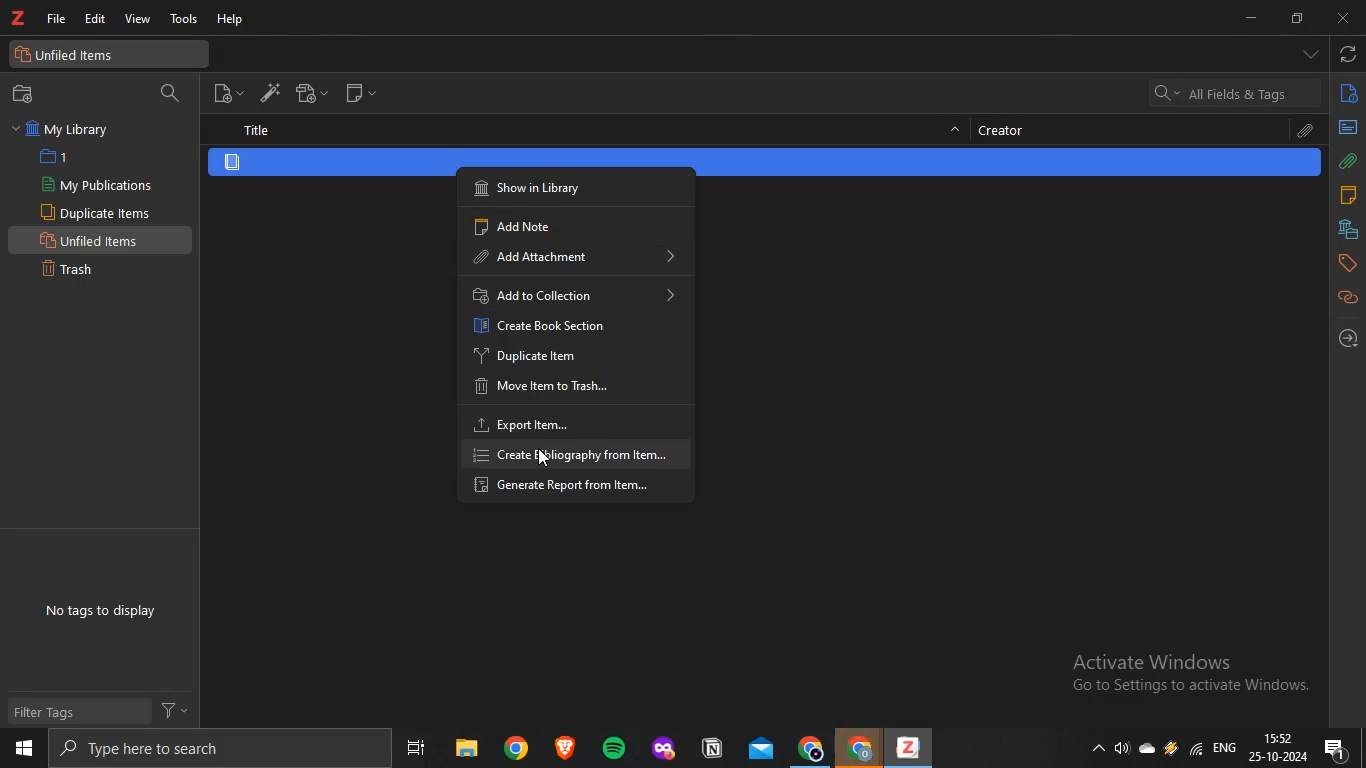  Describe the element at coordinates (1347, 298) in the screenshot. I see `related` at that location.